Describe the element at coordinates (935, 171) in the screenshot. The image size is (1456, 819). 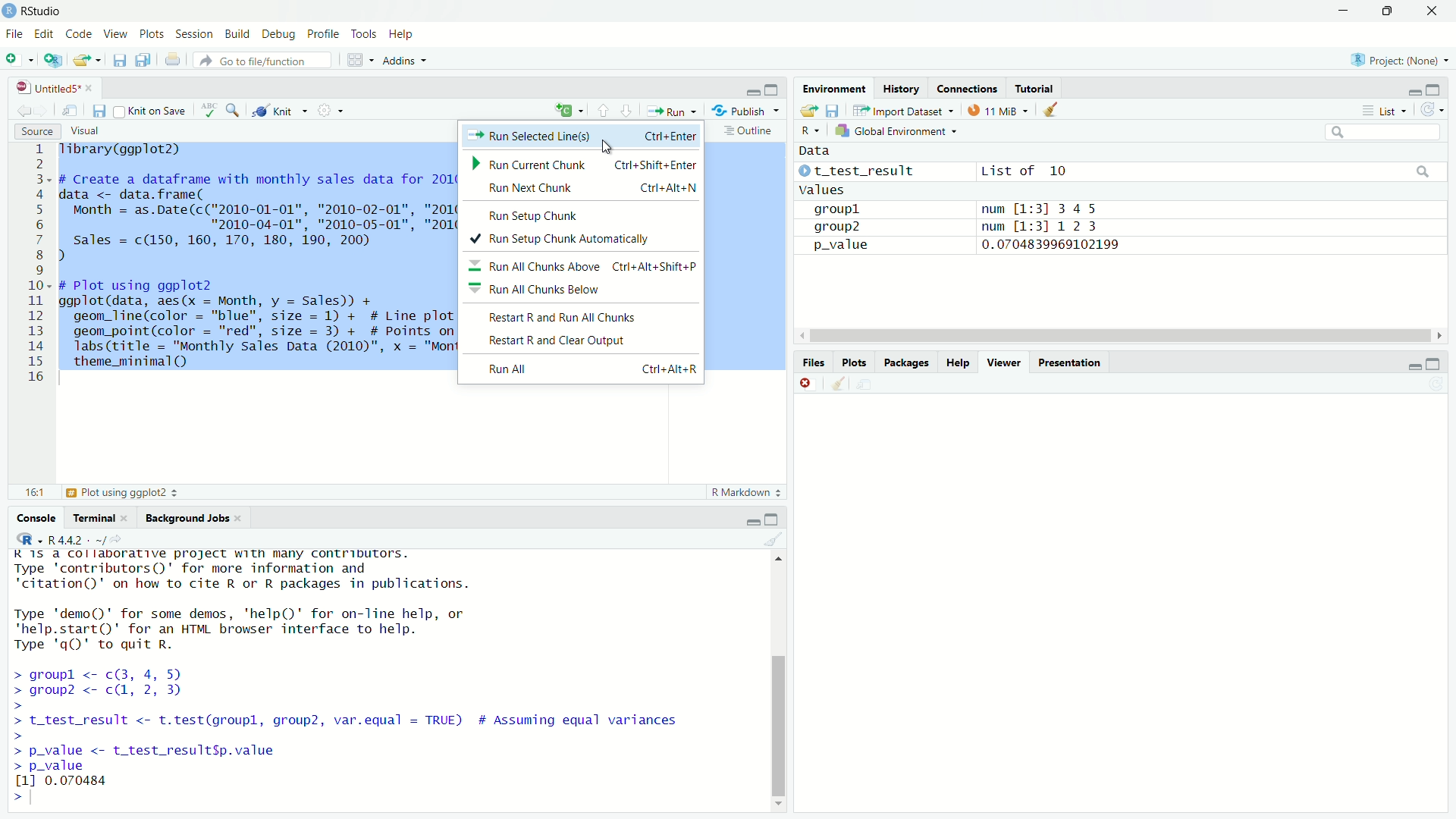
I see `© t_test_result List of 10` at that location.